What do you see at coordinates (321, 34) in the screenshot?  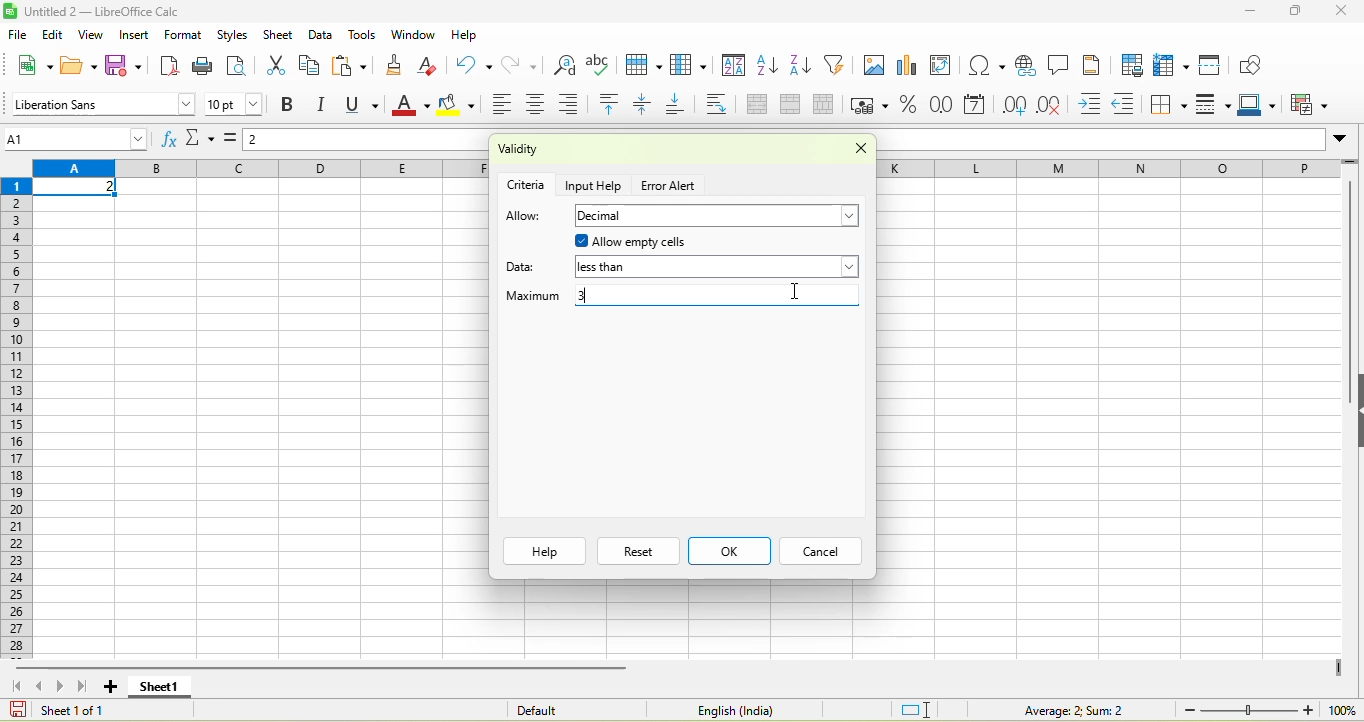 I see `data` at bounding box center [321, 34].